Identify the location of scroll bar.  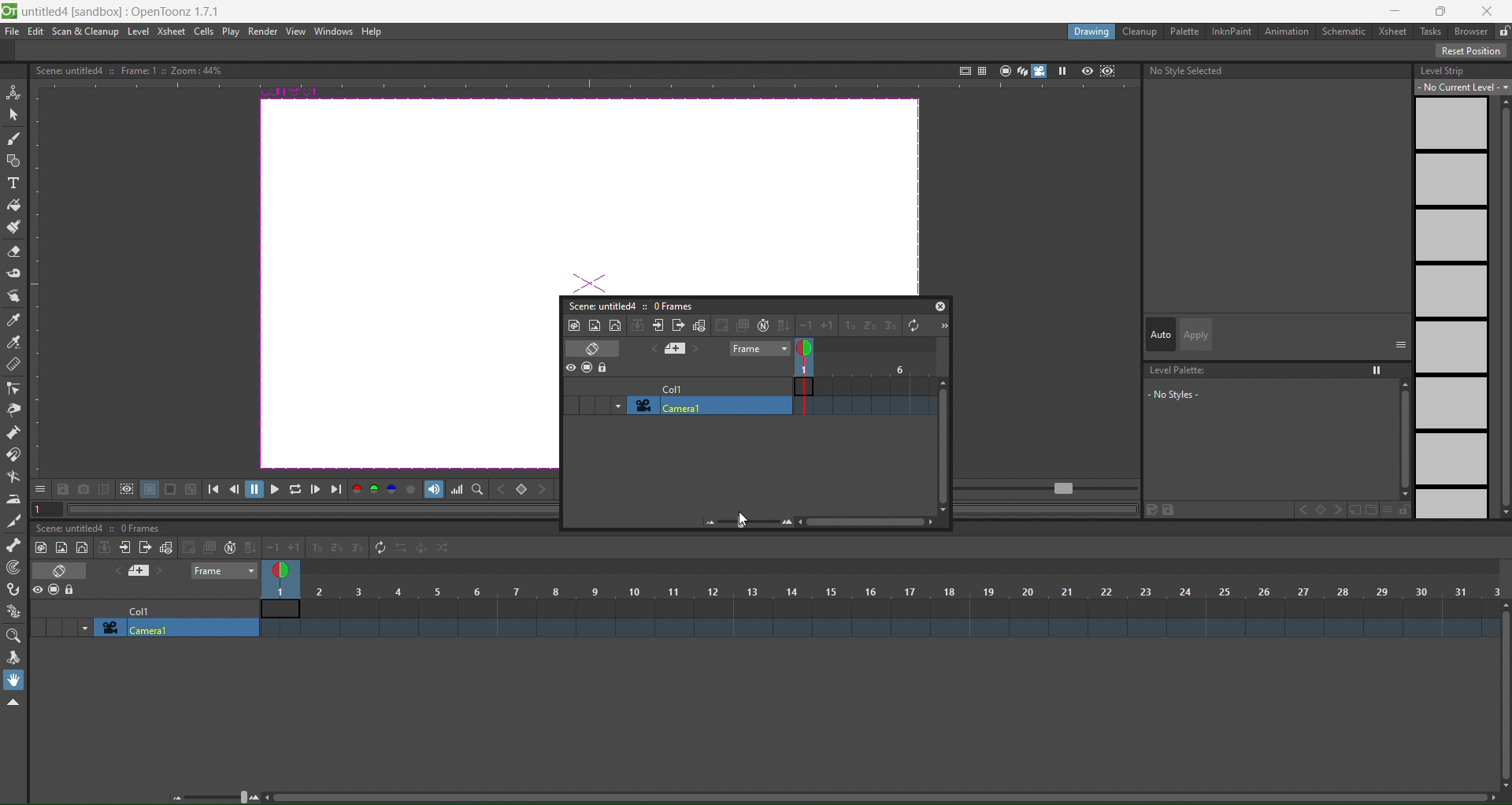
(1503, 696).